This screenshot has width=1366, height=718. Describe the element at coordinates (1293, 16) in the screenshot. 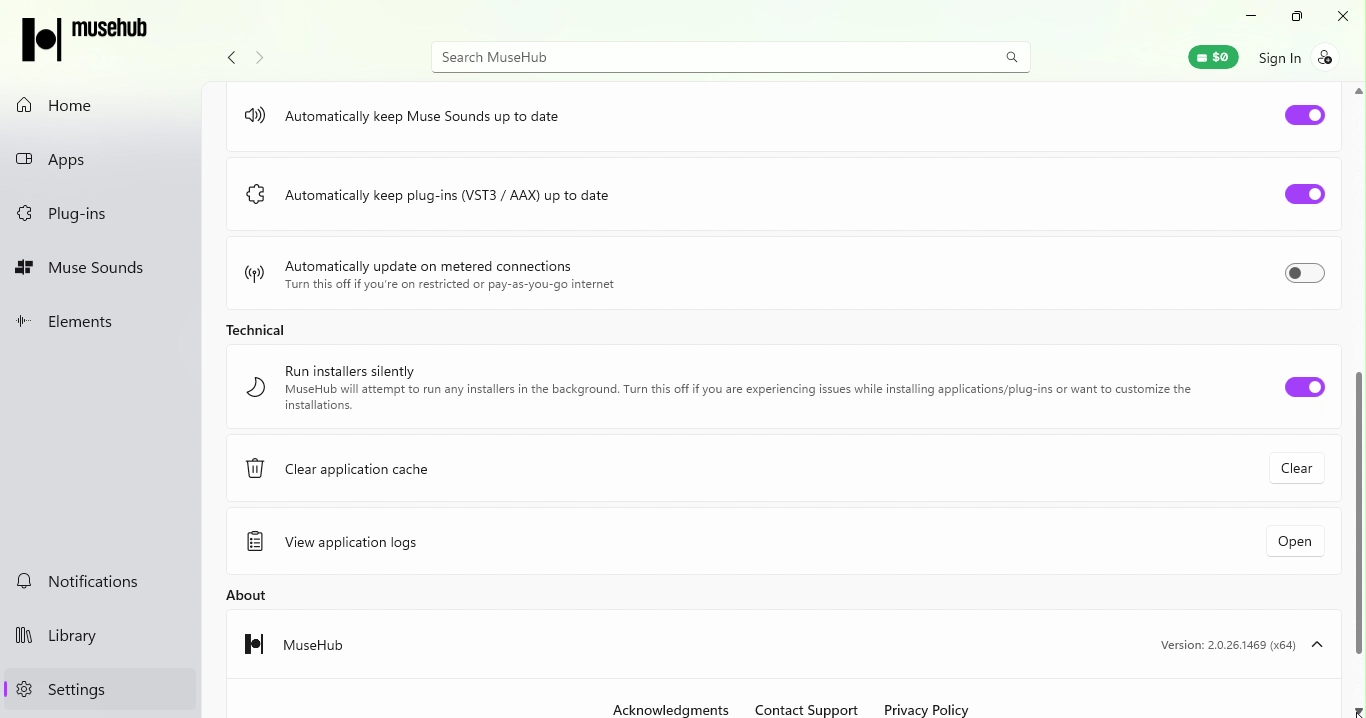

I see `Maximize` at that location.